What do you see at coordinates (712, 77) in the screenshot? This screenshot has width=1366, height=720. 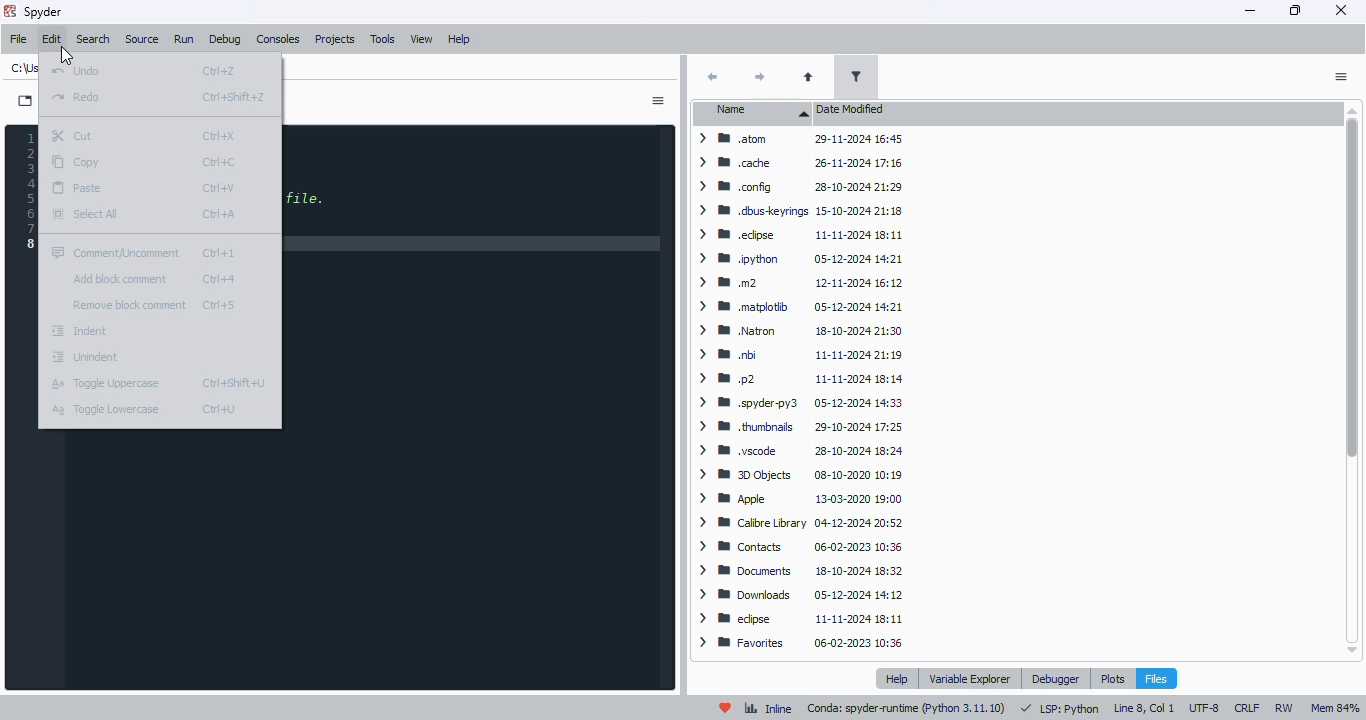 I see `back` at bounding box center [712, 77].